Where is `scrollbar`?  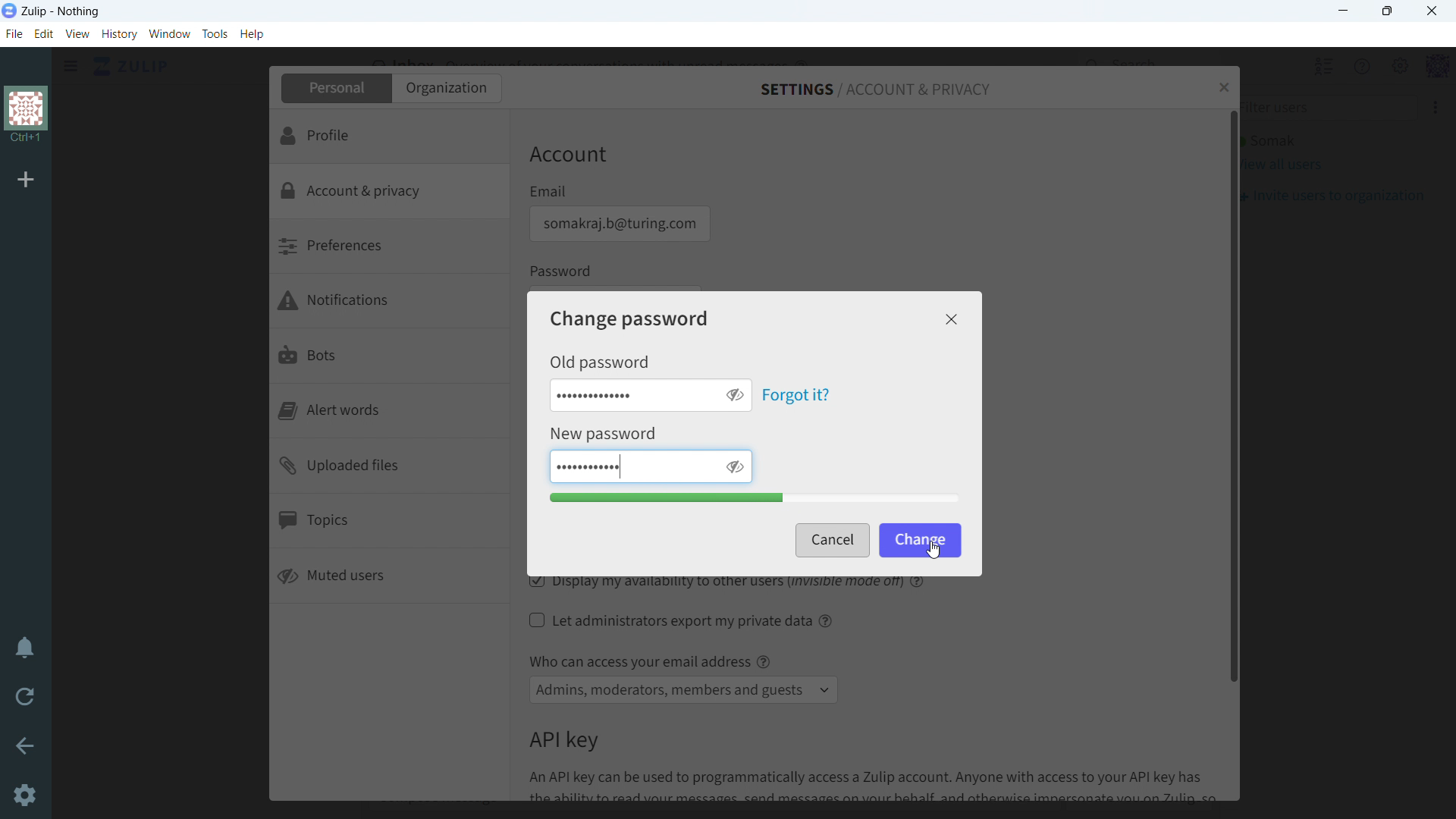 scrollbar is located at coordinates (1235, 394).